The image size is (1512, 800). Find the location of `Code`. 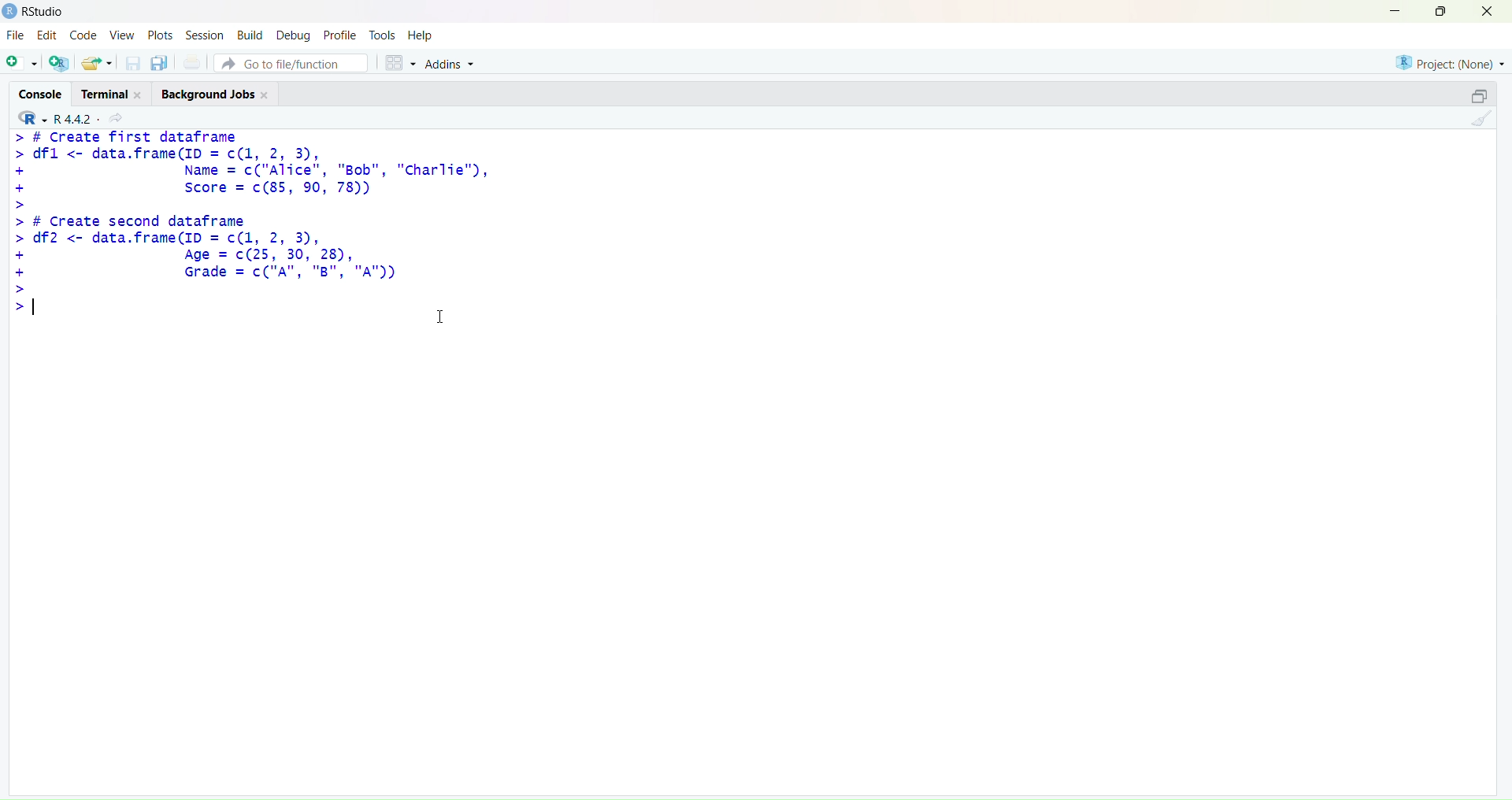

Code is located at coordinates (86, 35).